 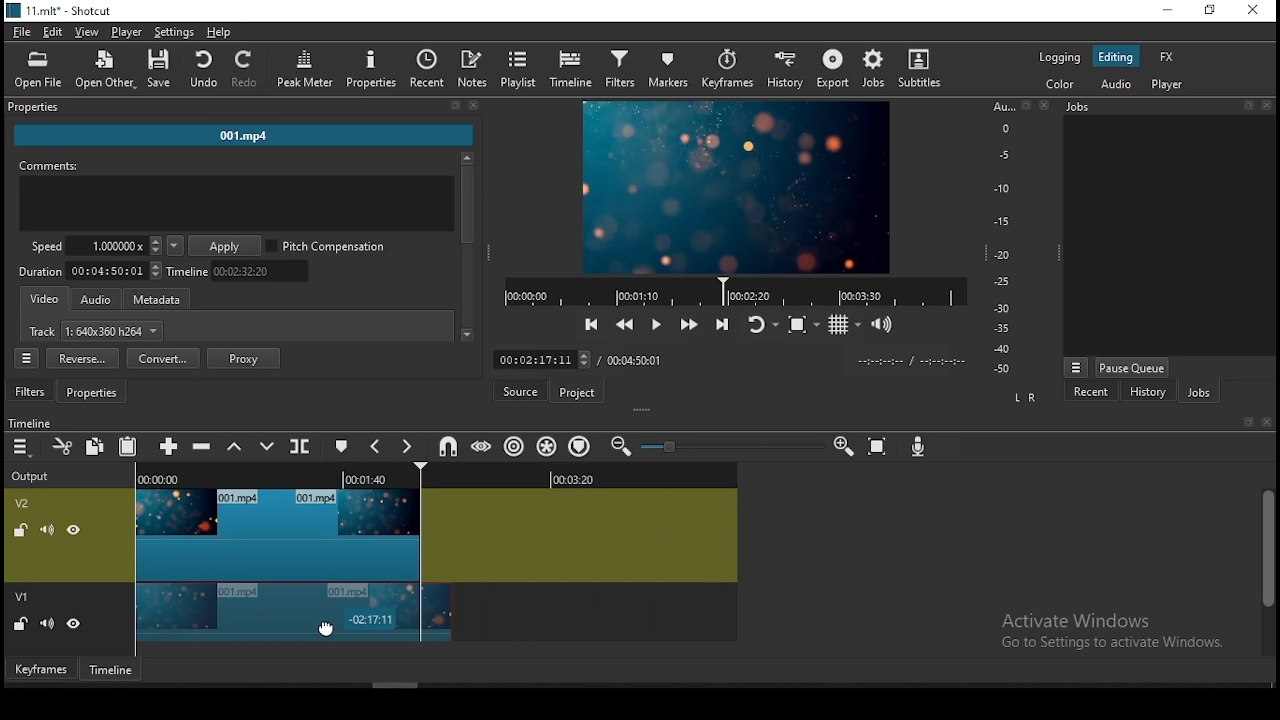 What do you see at coordinates (90, 246) in the screenshot?
I see `speed: 1.000000X` at bounding box center [90, 246].